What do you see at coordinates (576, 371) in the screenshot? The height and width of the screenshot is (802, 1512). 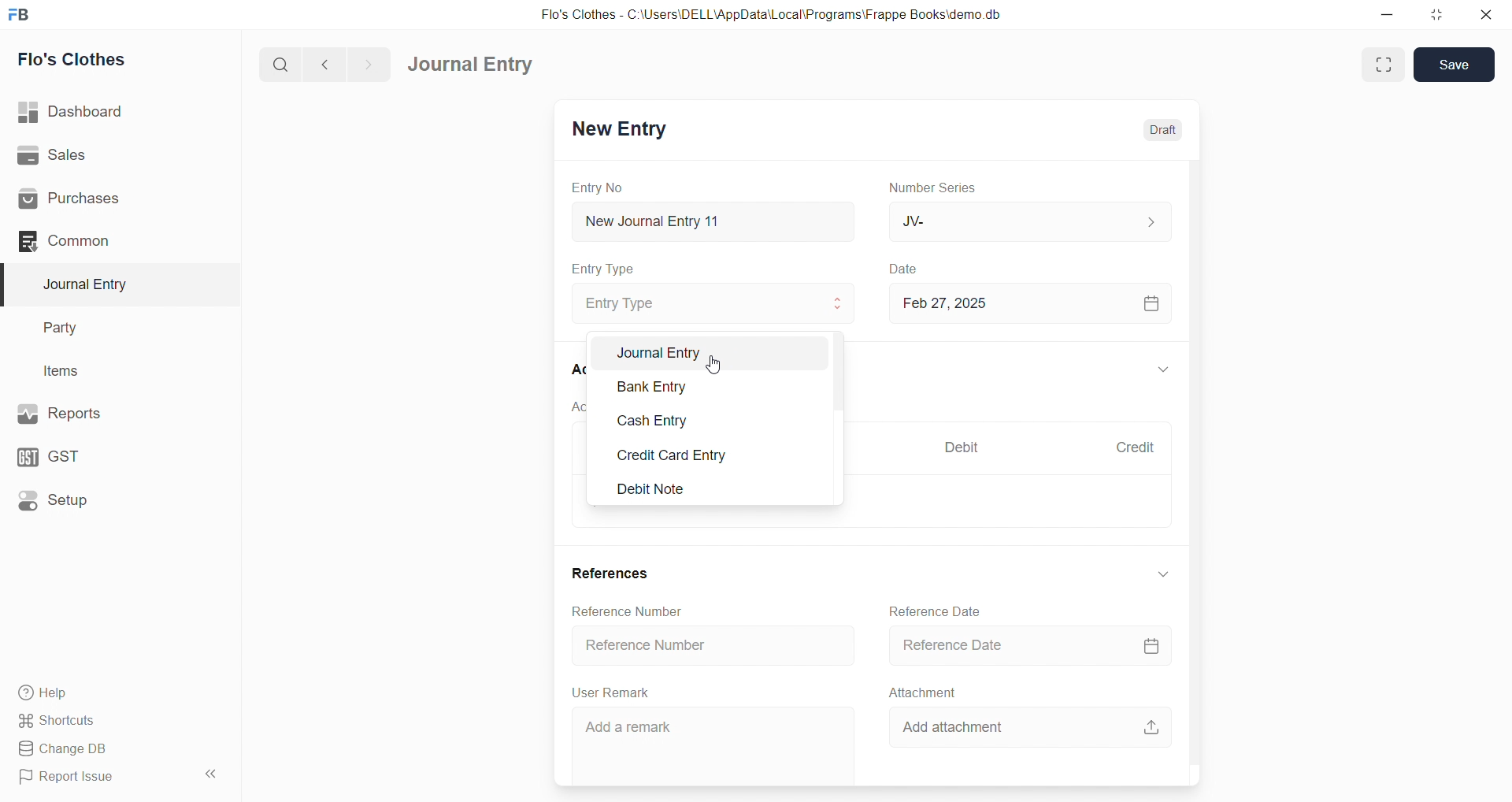 I see `Accounts` at bounding box center [576, 371].